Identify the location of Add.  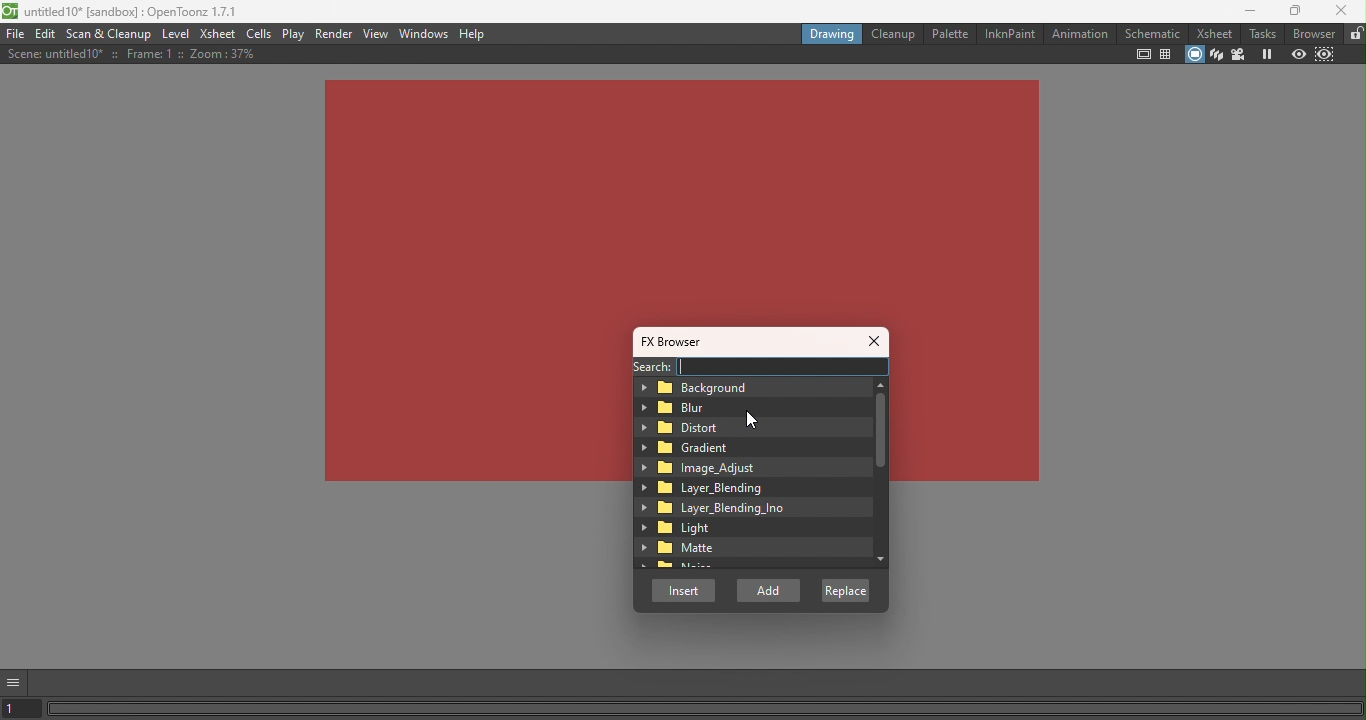
(771, 589).